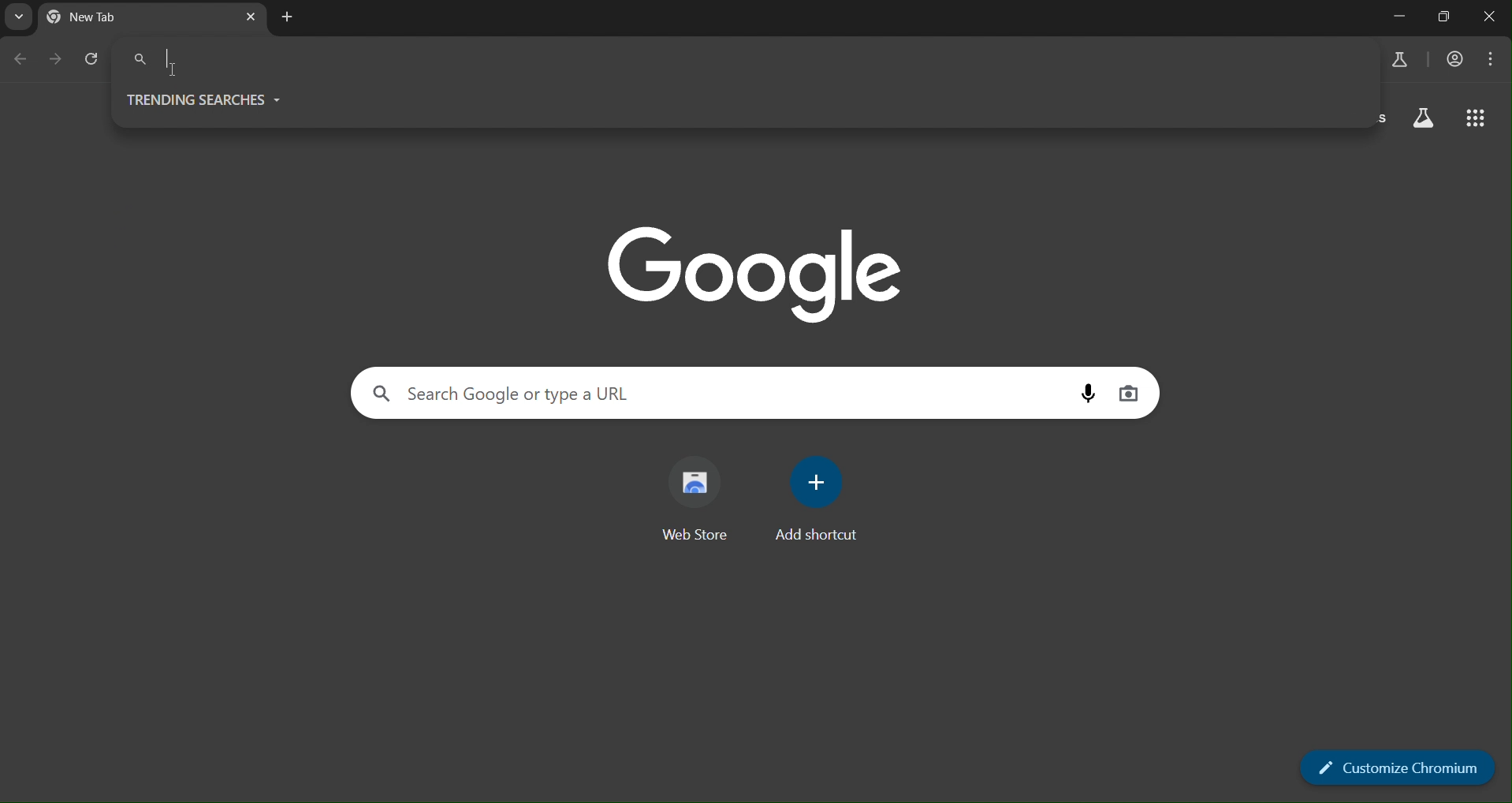 The width and height of the screenshot is (1512, 803). What do you see at coordinates (1490, 18) in the screenshot?
I see `close` at bounding box center [1490, 18].